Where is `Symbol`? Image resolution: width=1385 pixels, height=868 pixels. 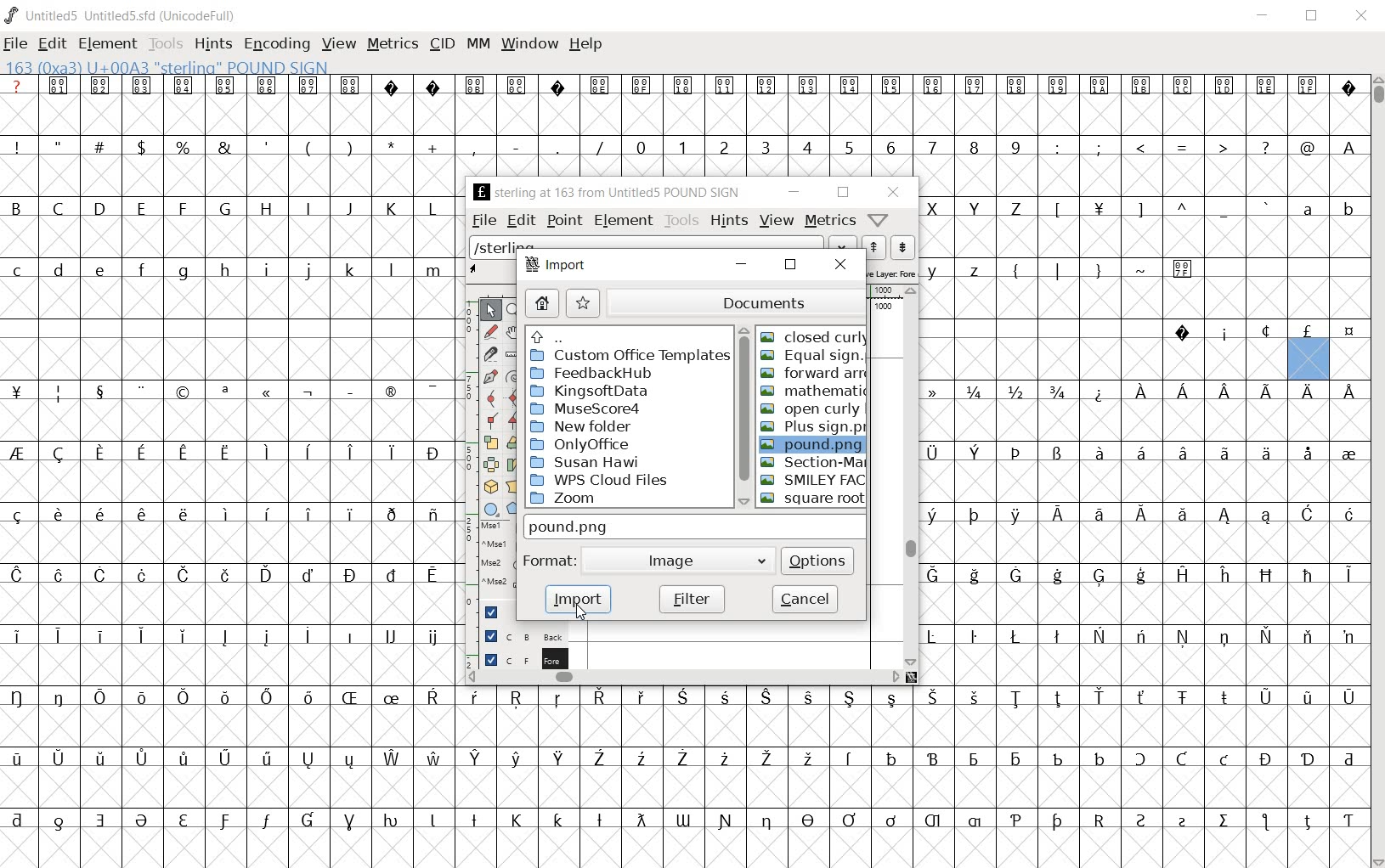
Symbol is located at coordinates (852, 86).